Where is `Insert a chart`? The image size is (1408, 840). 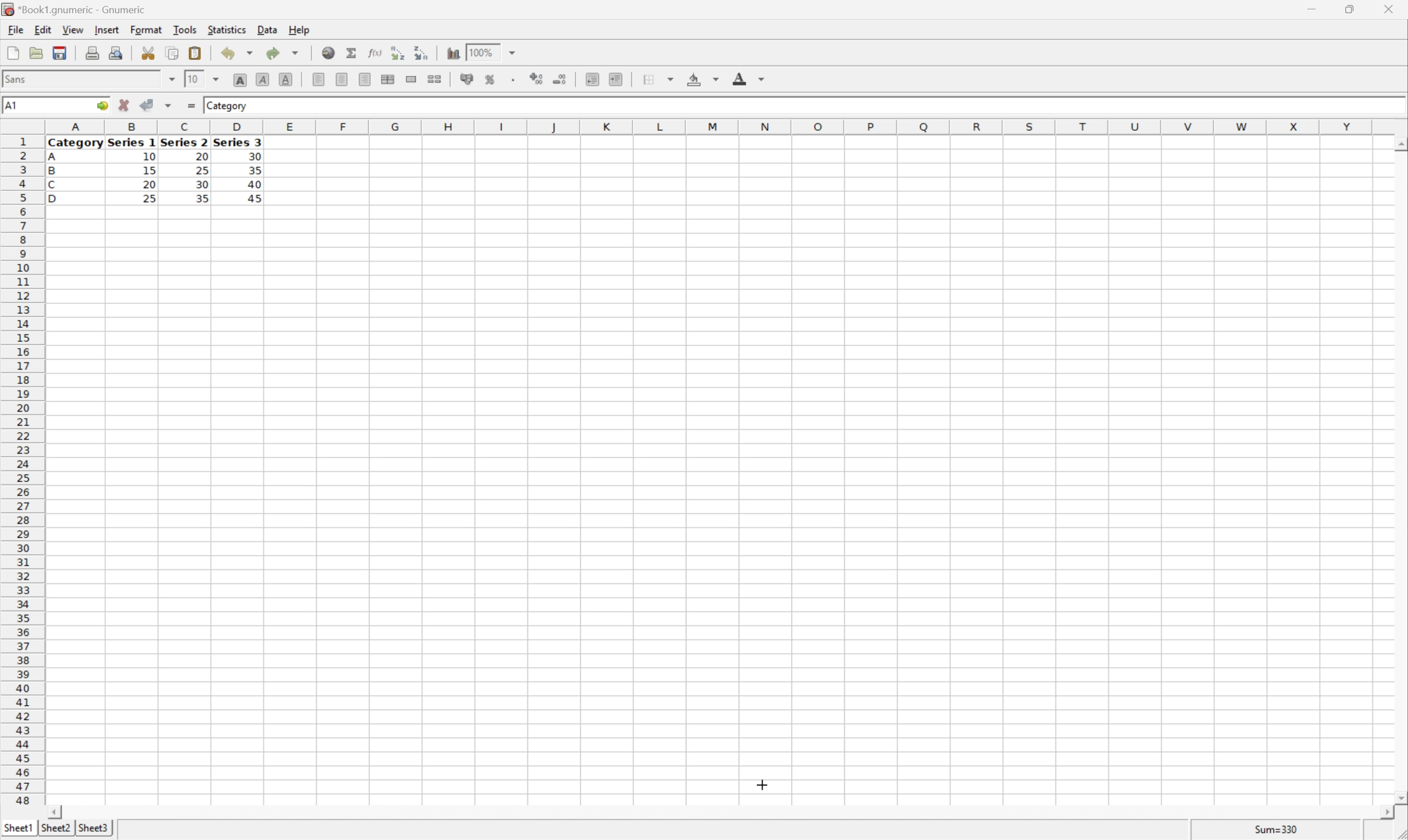 Insert a chart is located at coordinates (452, 54).